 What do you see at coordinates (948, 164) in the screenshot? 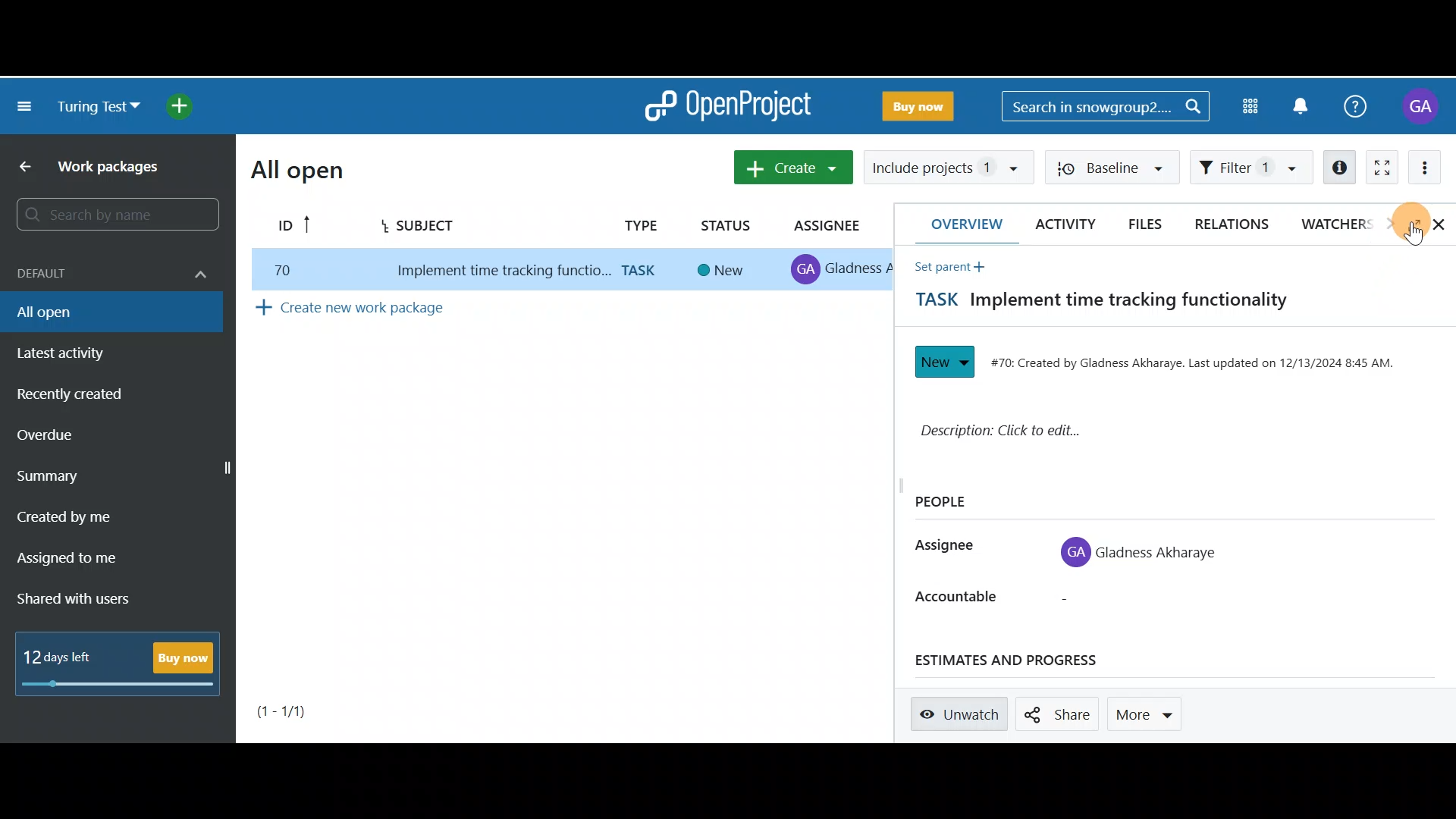
I see `Include projects` at bounding box center [948, 164].